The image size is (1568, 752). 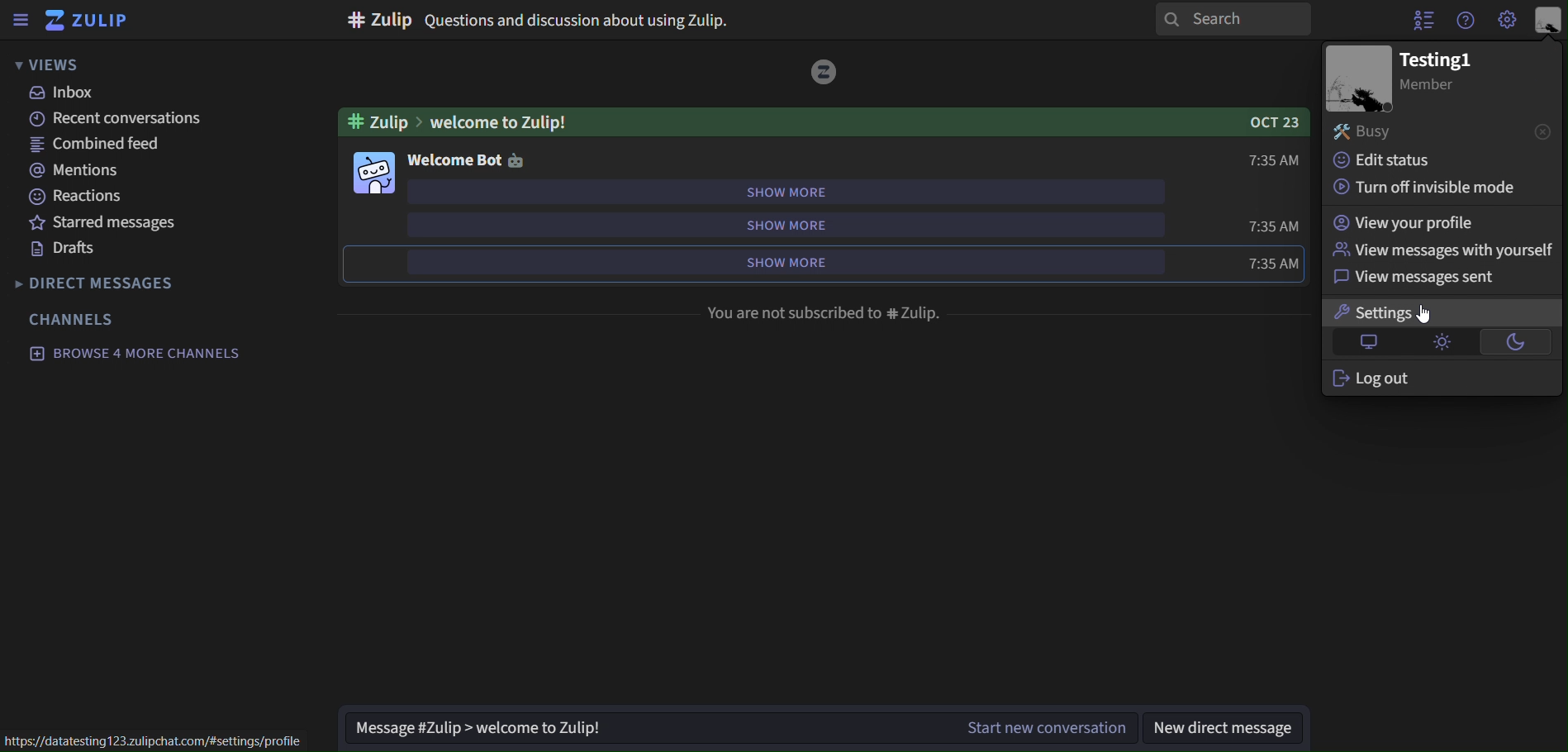 What do you see at coordinates (1411, 223) in the screenshot?
I see `view your profile` at bounding box center [1411, 223].